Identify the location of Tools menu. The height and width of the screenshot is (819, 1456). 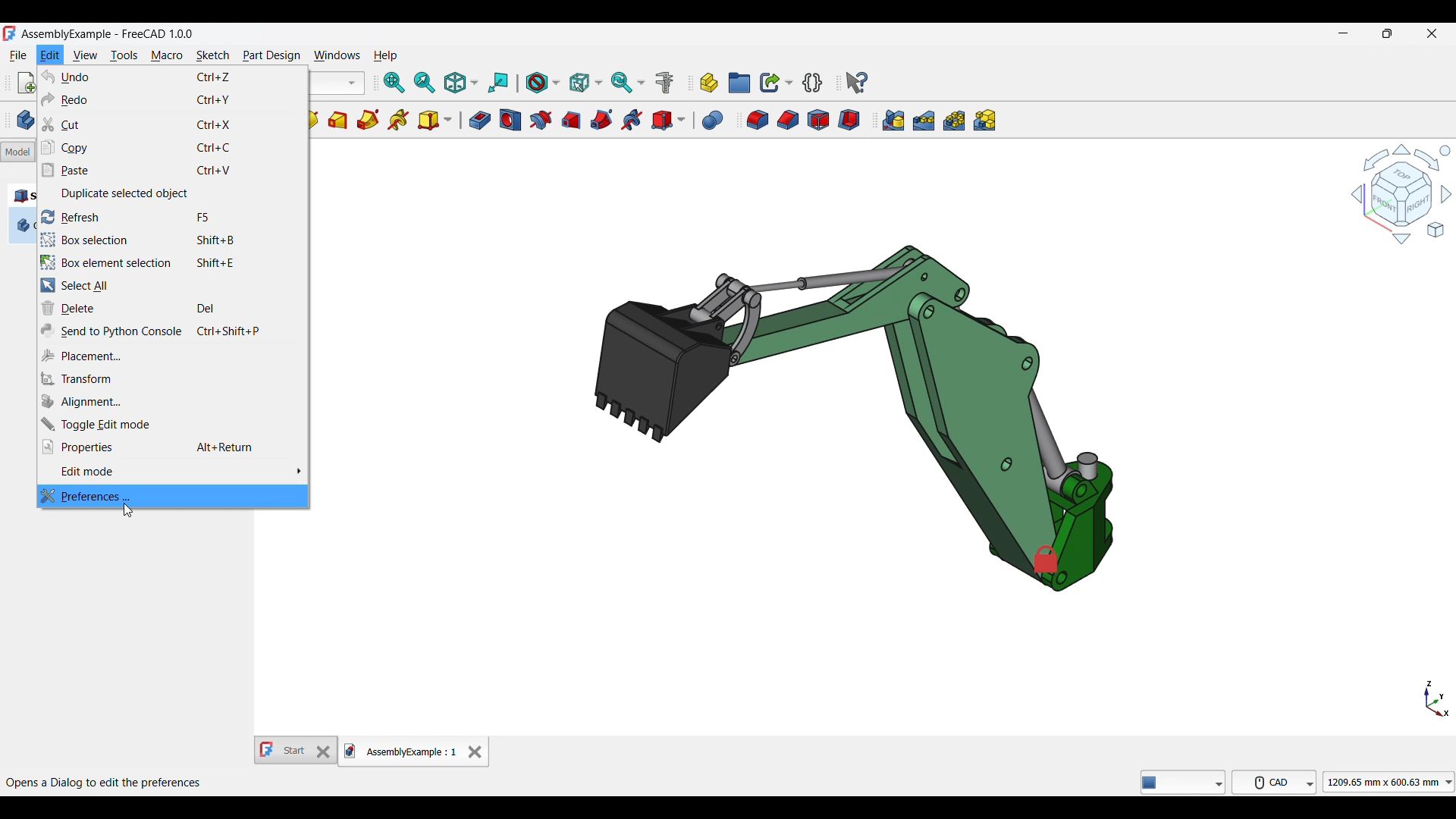
(124, 56).